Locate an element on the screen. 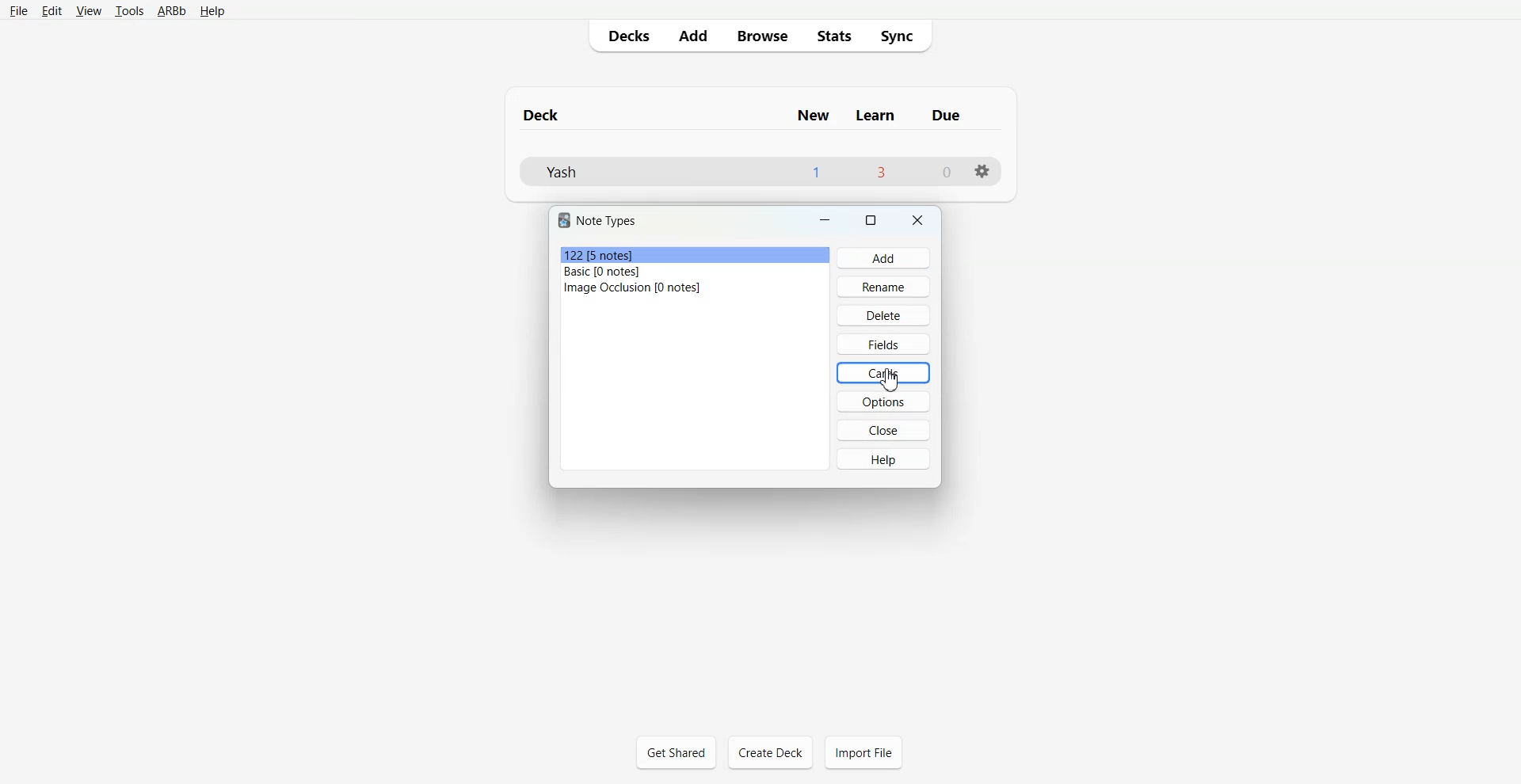 The height and width of the screenshot is (784, 1521). Delete is located at coordinates (882, 315).